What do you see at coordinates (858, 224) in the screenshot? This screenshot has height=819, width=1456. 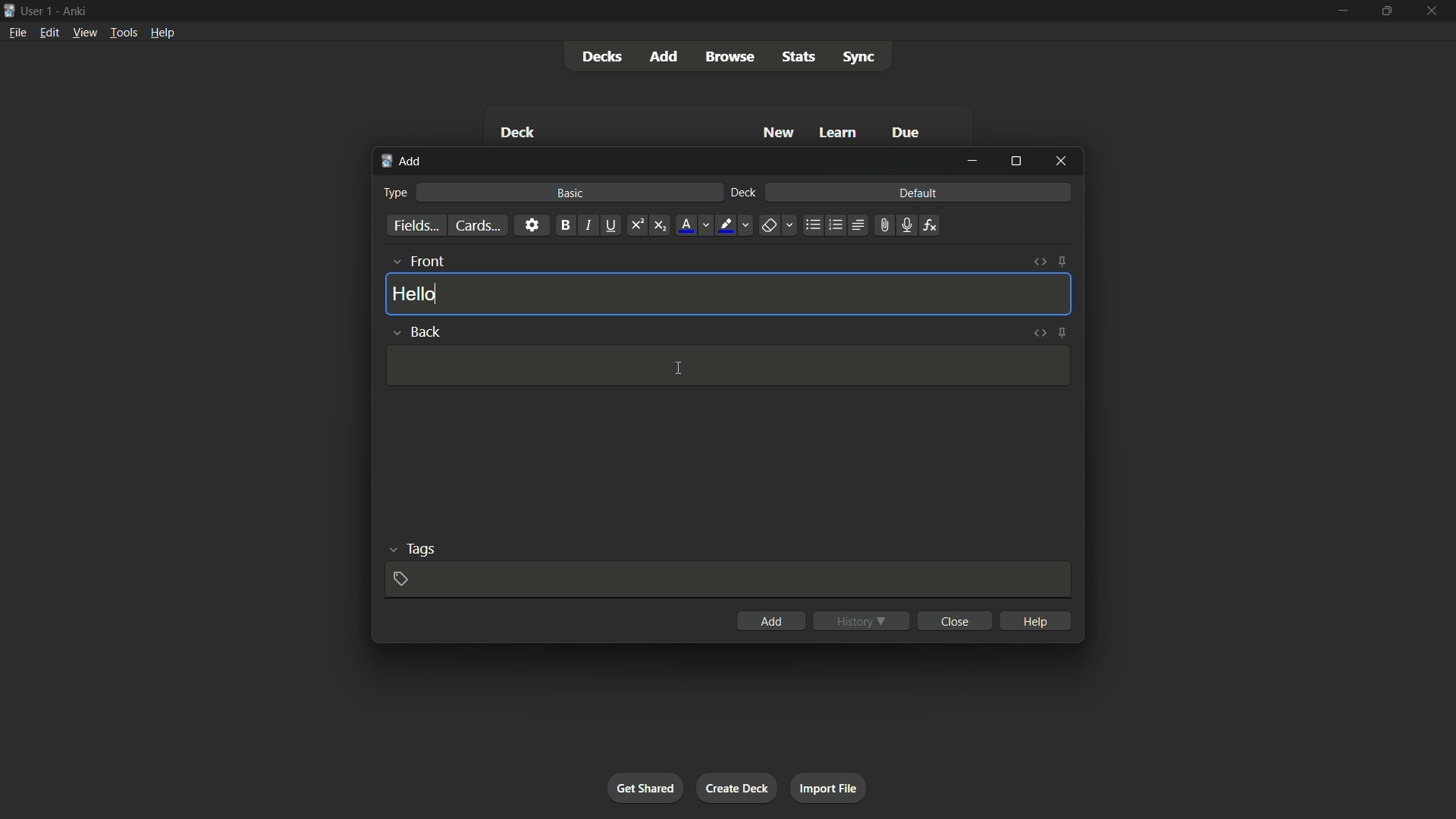 I see `alignment` at bounding box center [858, 224].